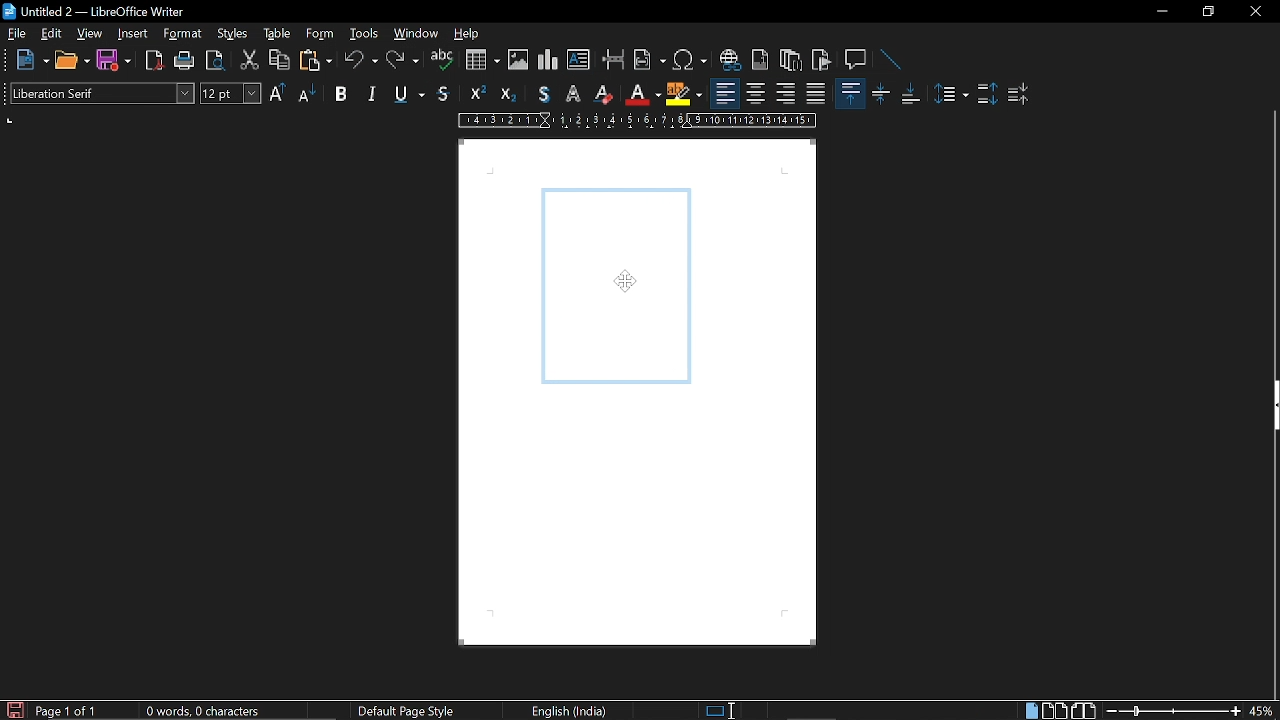 The width and height of the screenshot is (1280, 720). I want to click on edit, so click(53, 34).